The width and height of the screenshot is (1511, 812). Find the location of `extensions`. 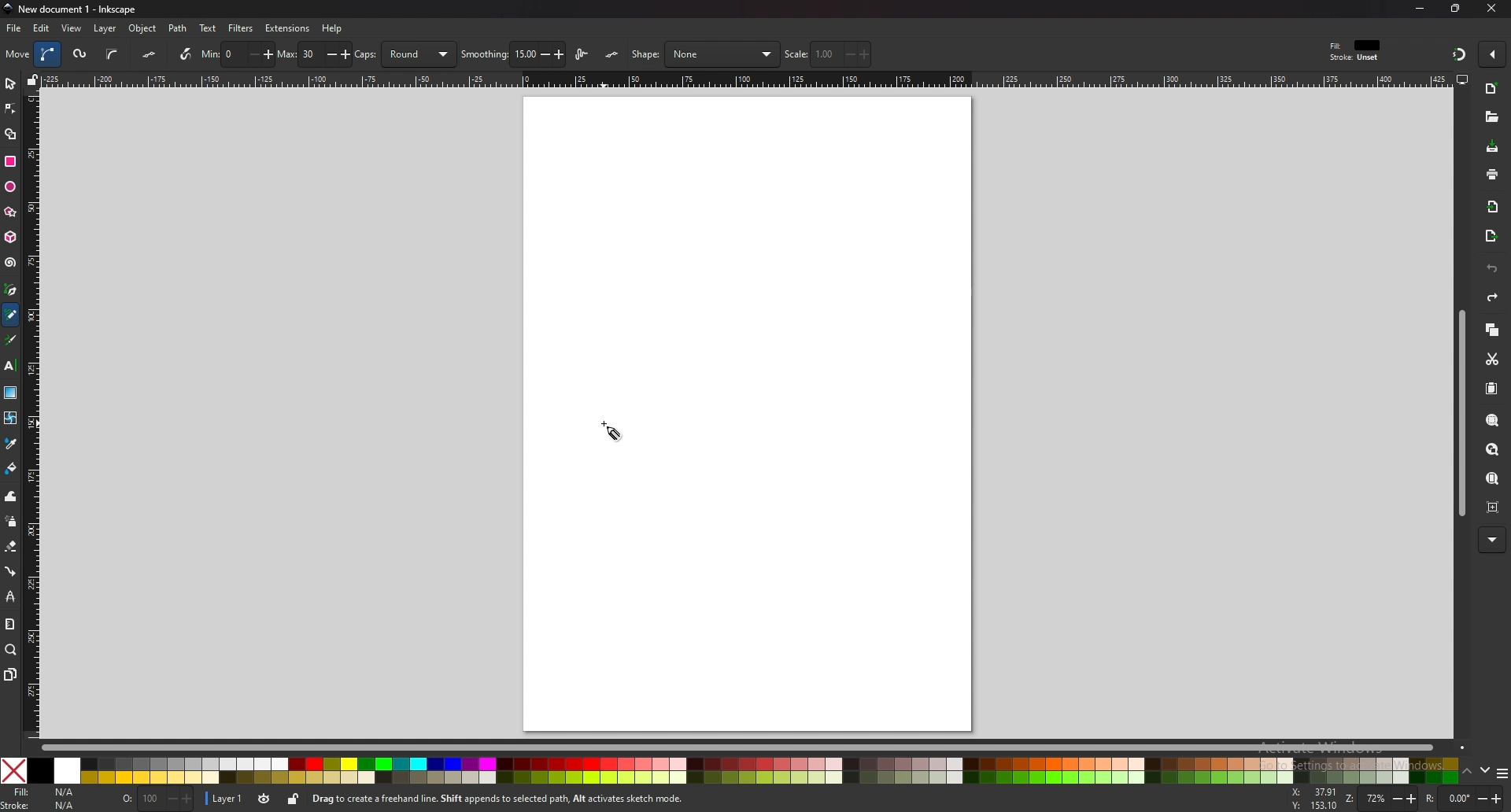

extensions is located at coordinates (288, 28).